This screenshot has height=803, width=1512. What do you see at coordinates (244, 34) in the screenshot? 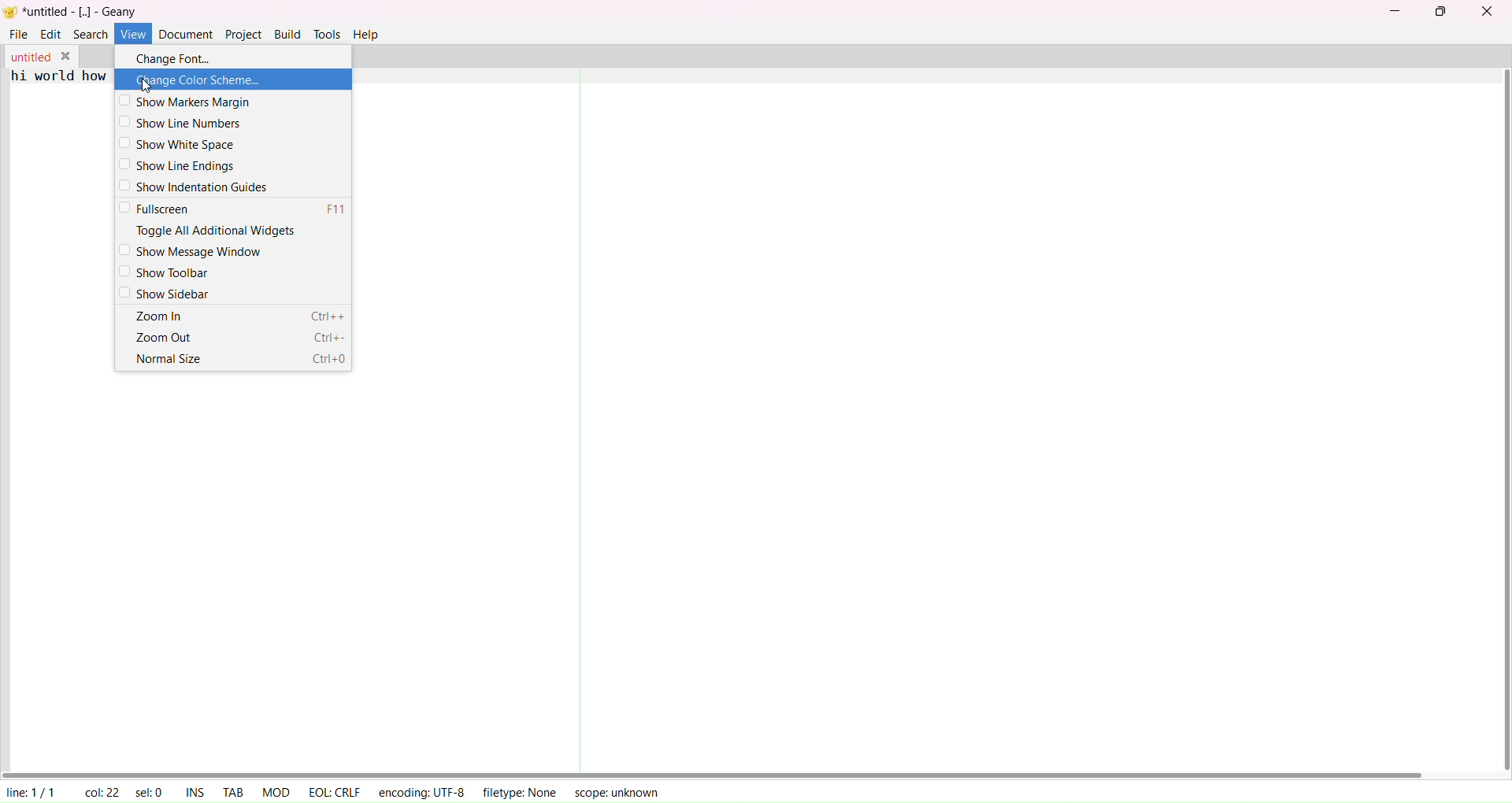
I see `project` at bounding box center [244, 34].